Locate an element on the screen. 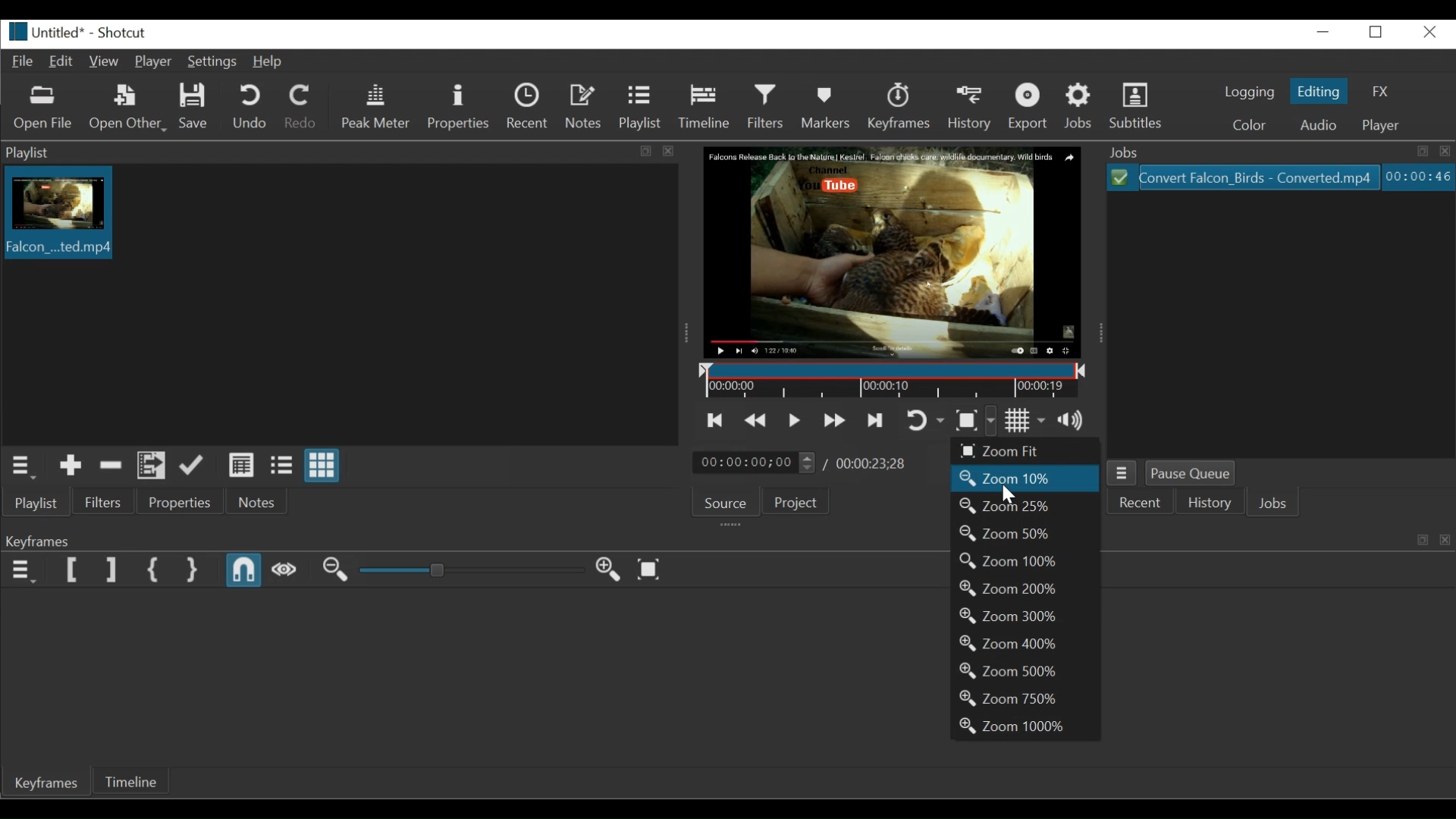 The image size is (1456, 819). Timeline is located at coordinates (129, 781).